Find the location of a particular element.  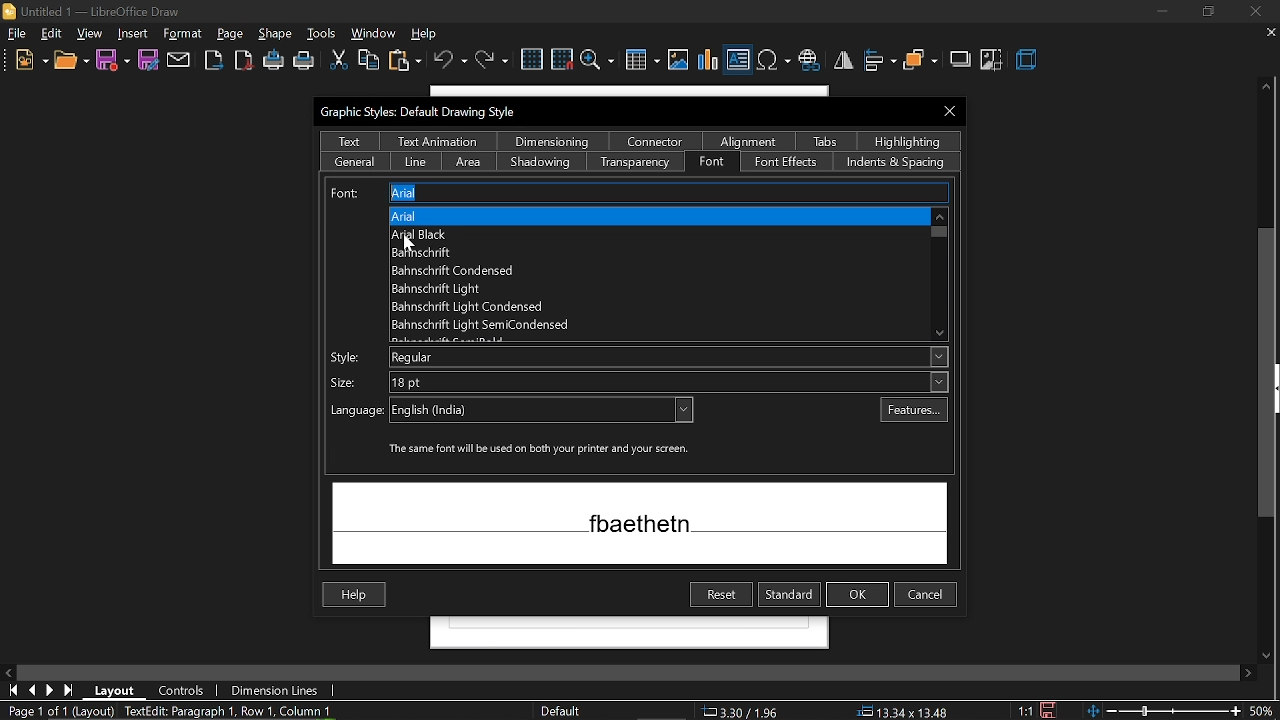

highlighting is located at coordinates (910, 141).